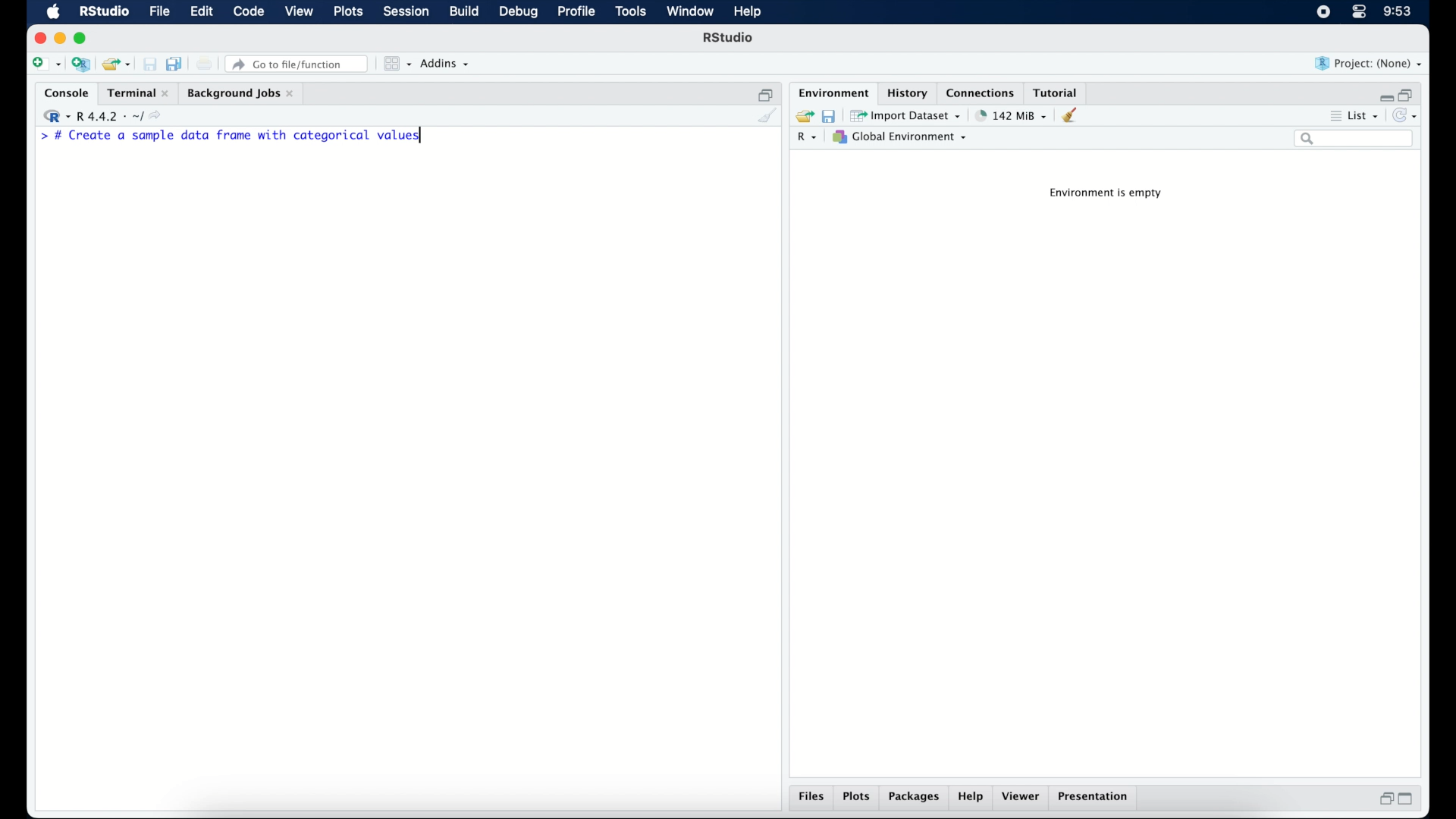  Describe the element at coordinates (447, 64) in the screenshot. I see `addins` at that location.